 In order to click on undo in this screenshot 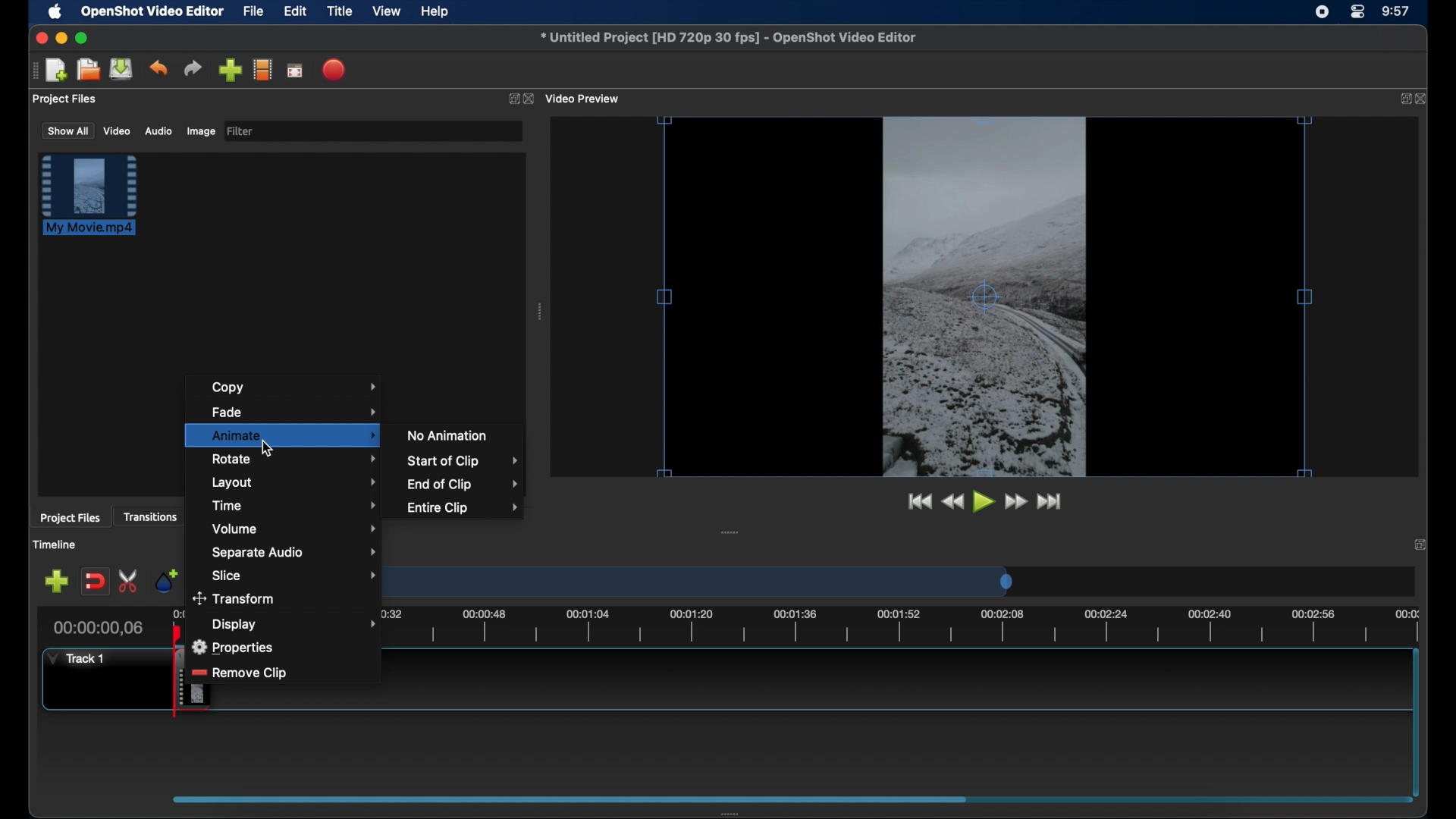, I will do `click(158, 68)`.